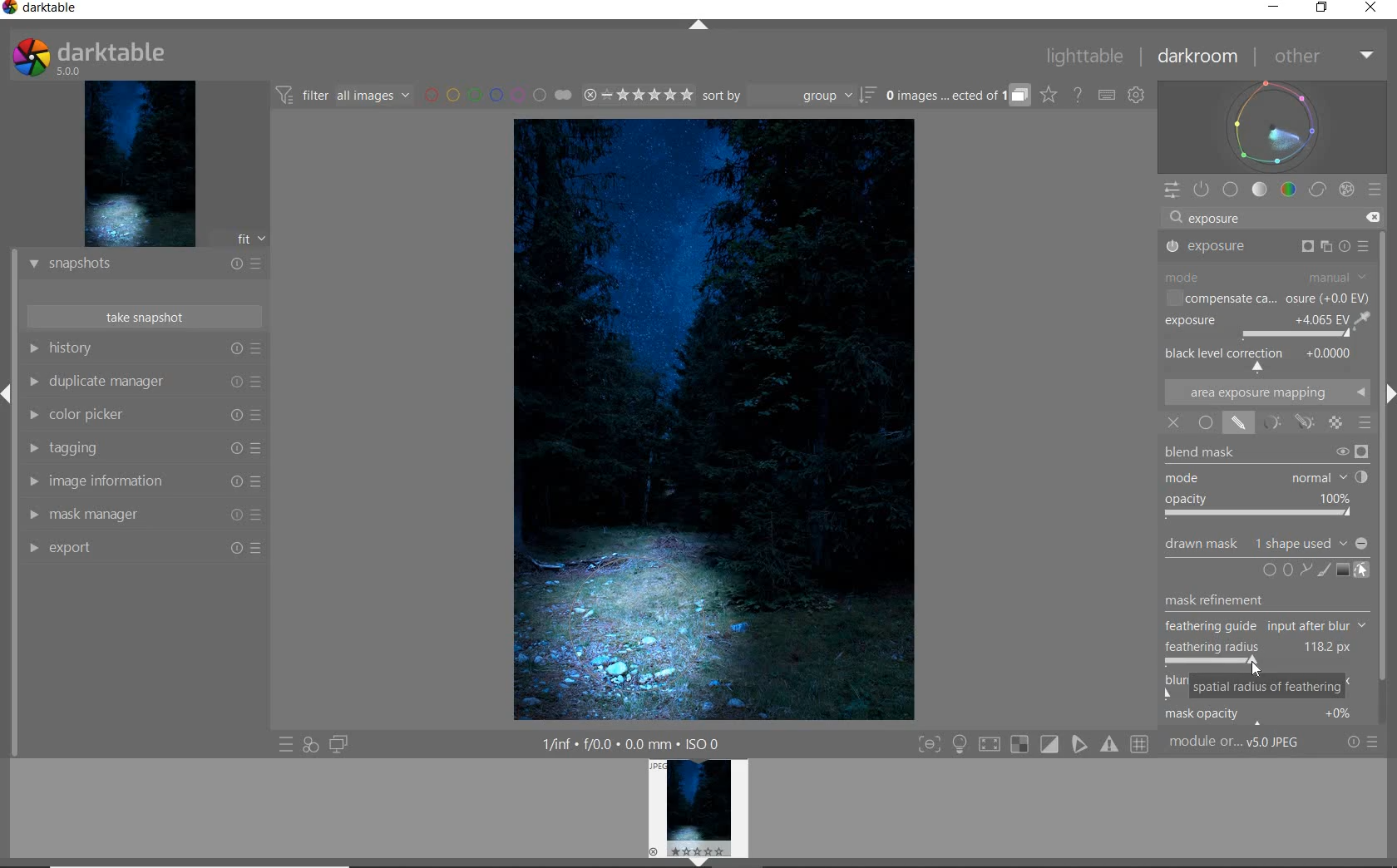 This screenshot has height=868, width=1397. What do you see at coordinates (1197, 57) in the screenshot?
I see `DARKROOM` at bounding box center [1197, 57].